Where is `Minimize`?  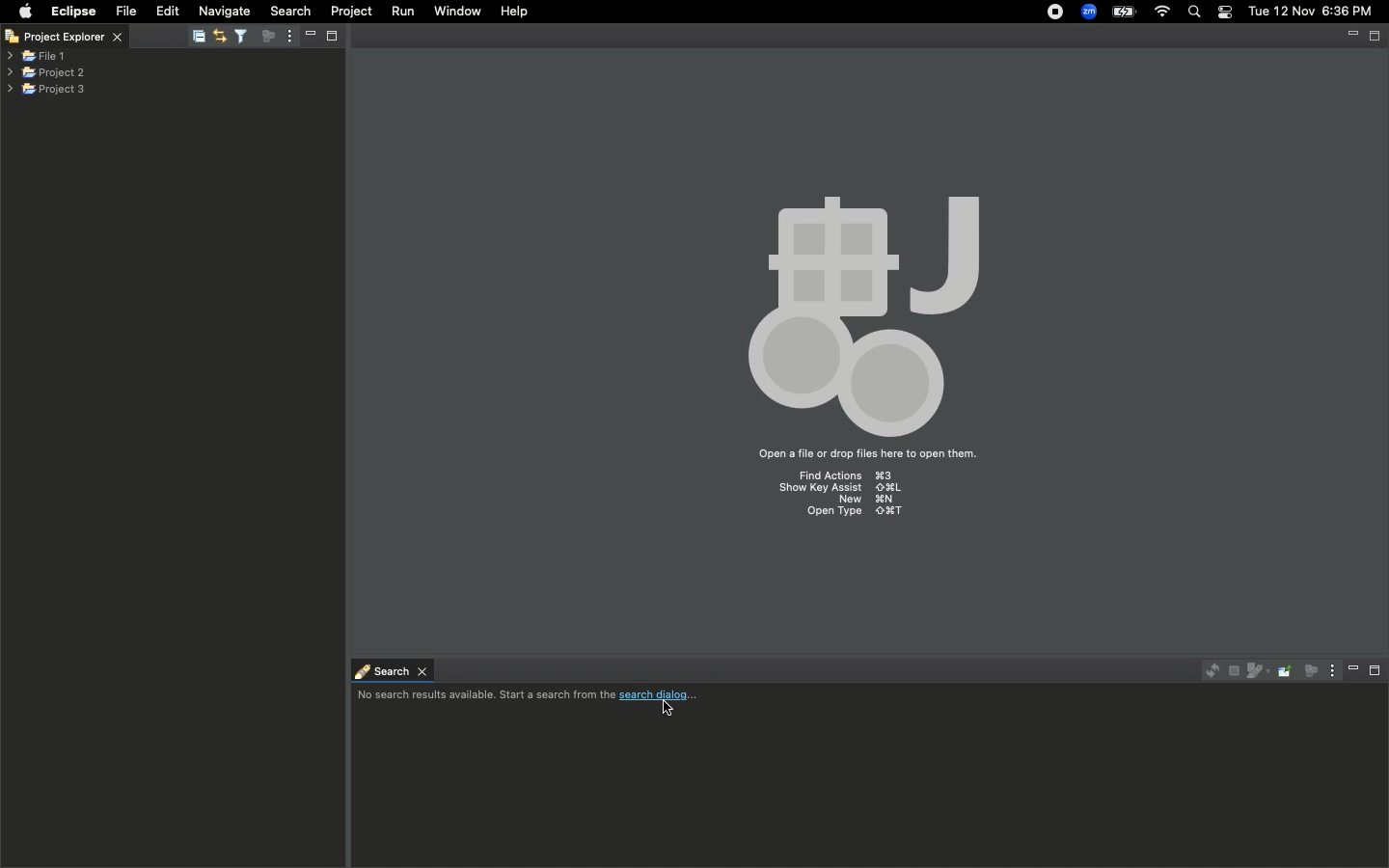
Minimize is located at coordinates (1353, 669).